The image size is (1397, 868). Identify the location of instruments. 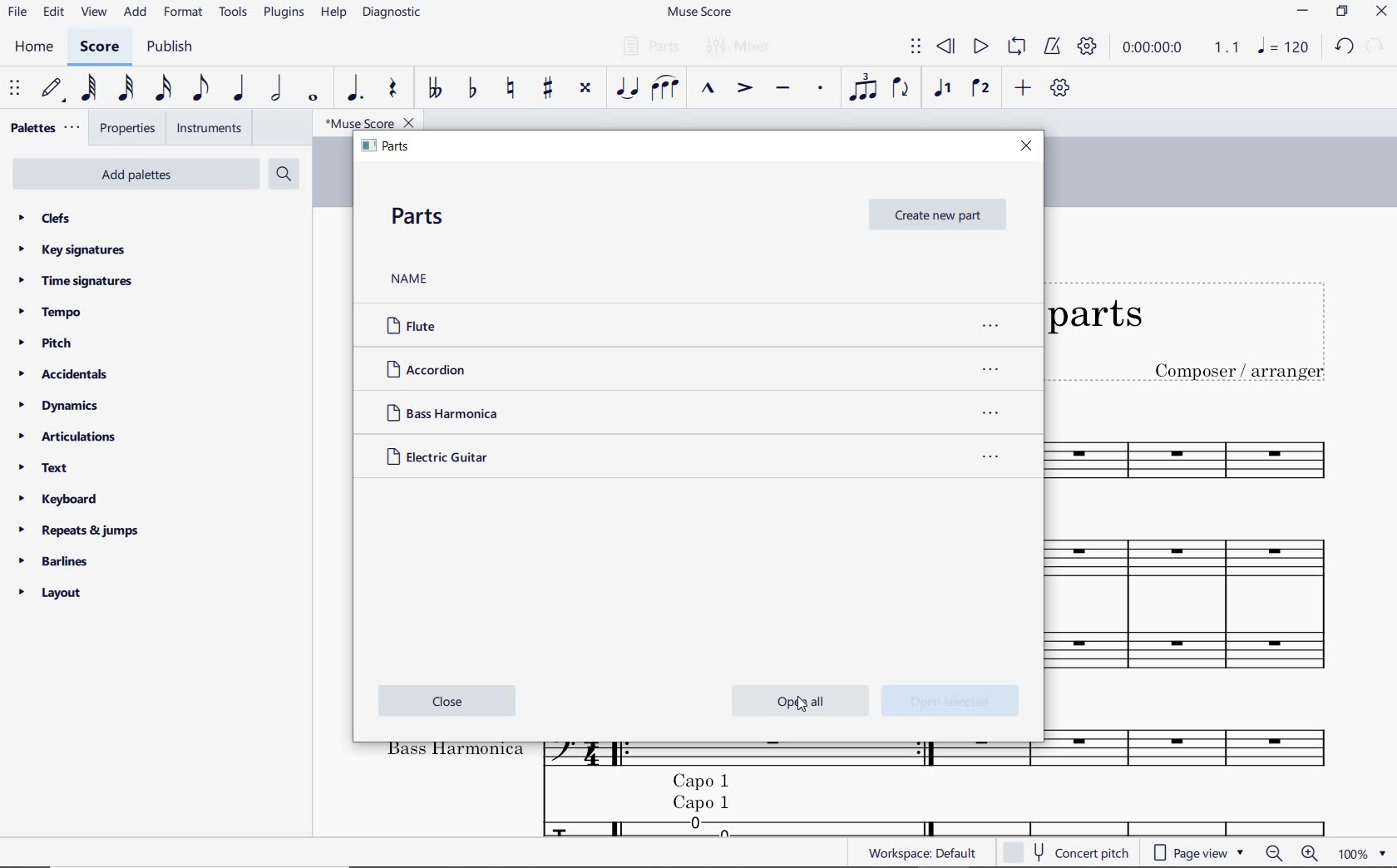
(208, 128).